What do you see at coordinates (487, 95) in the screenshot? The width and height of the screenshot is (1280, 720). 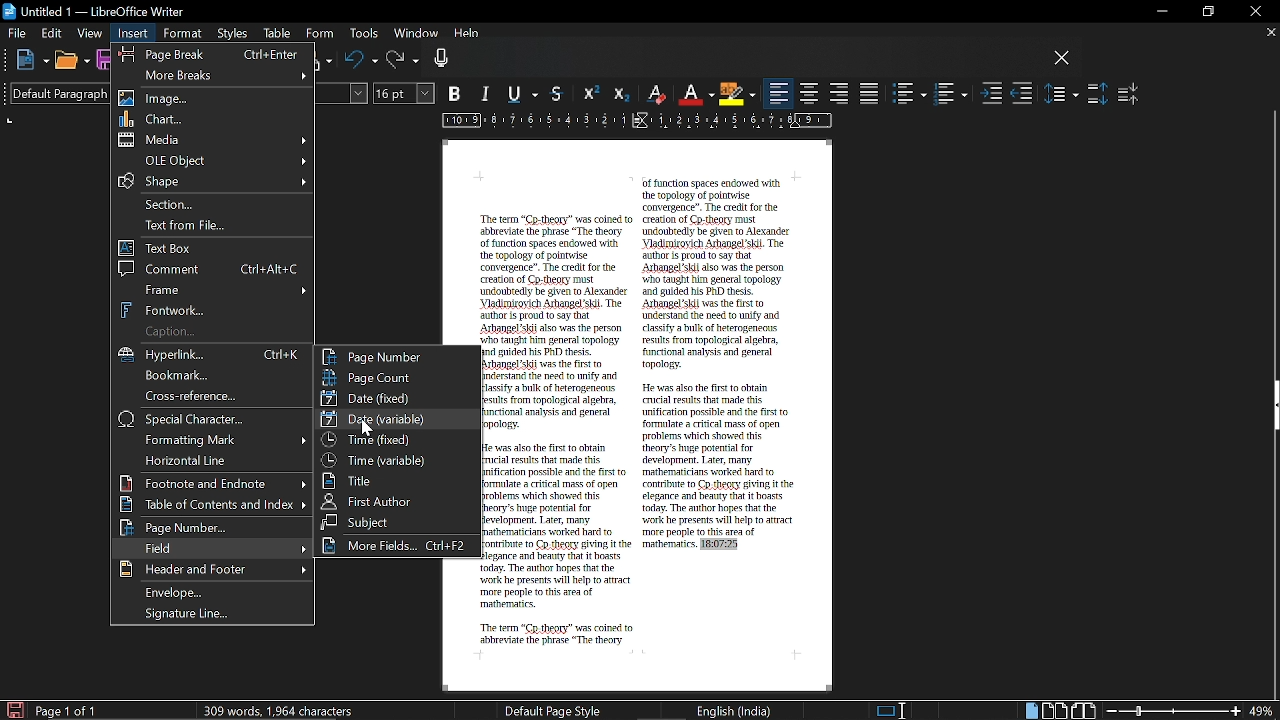 I see `Italic` at bounding box center [487, 95].